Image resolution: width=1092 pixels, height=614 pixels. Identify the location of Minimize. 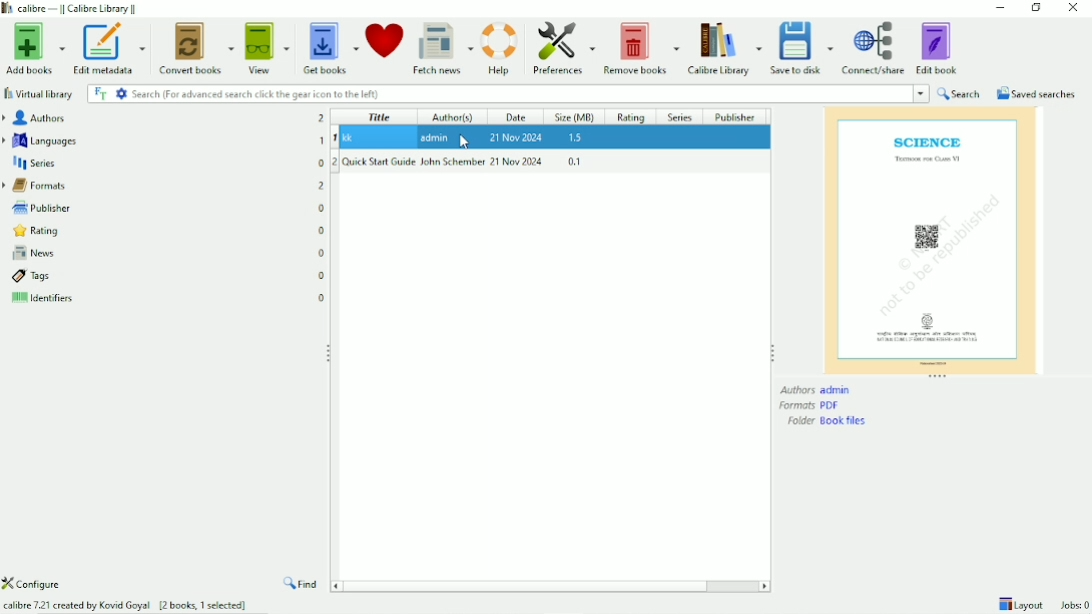
(1001, 7).